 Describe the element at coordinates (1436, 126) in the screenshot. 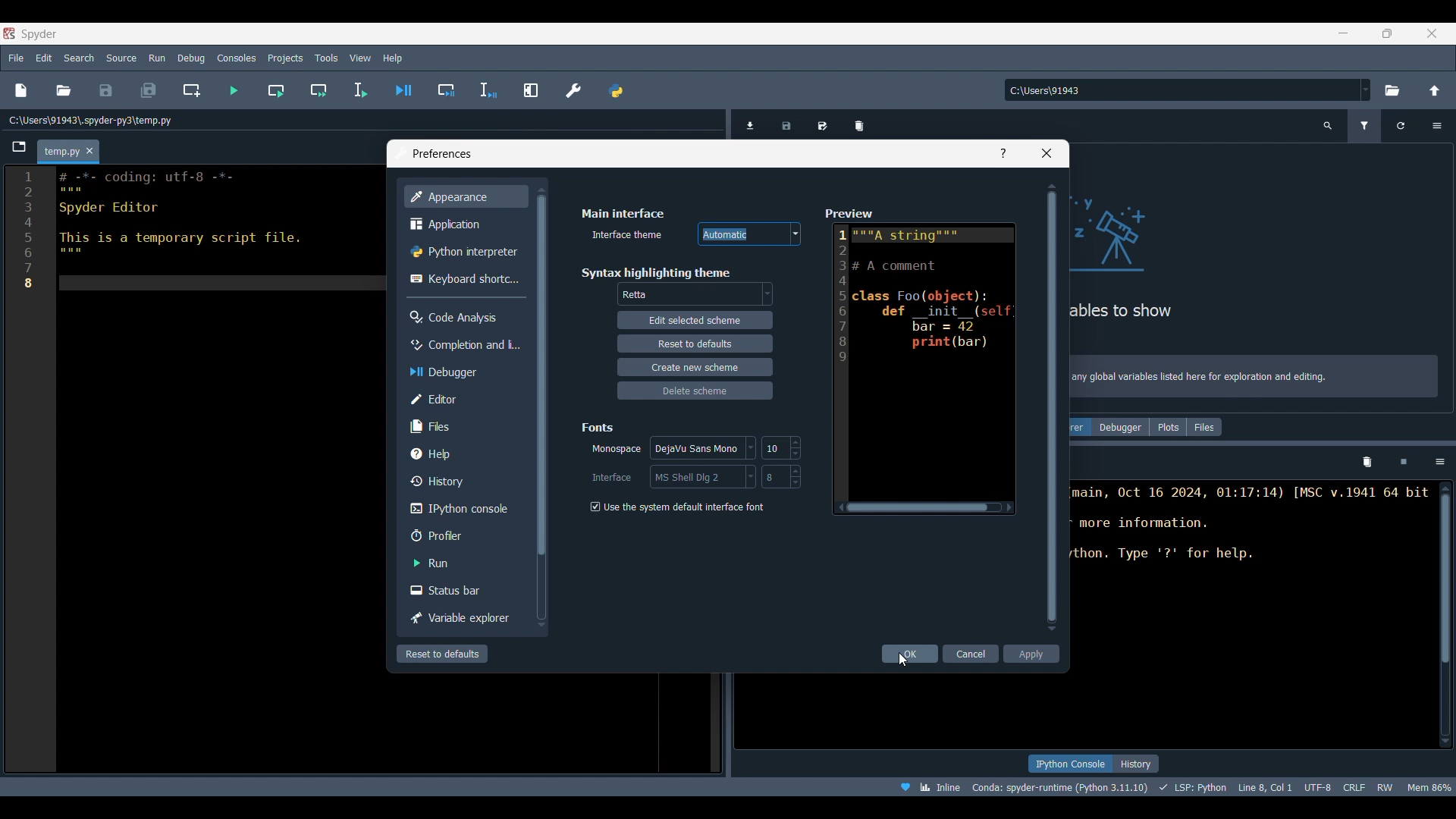

I see `Options` at that location.